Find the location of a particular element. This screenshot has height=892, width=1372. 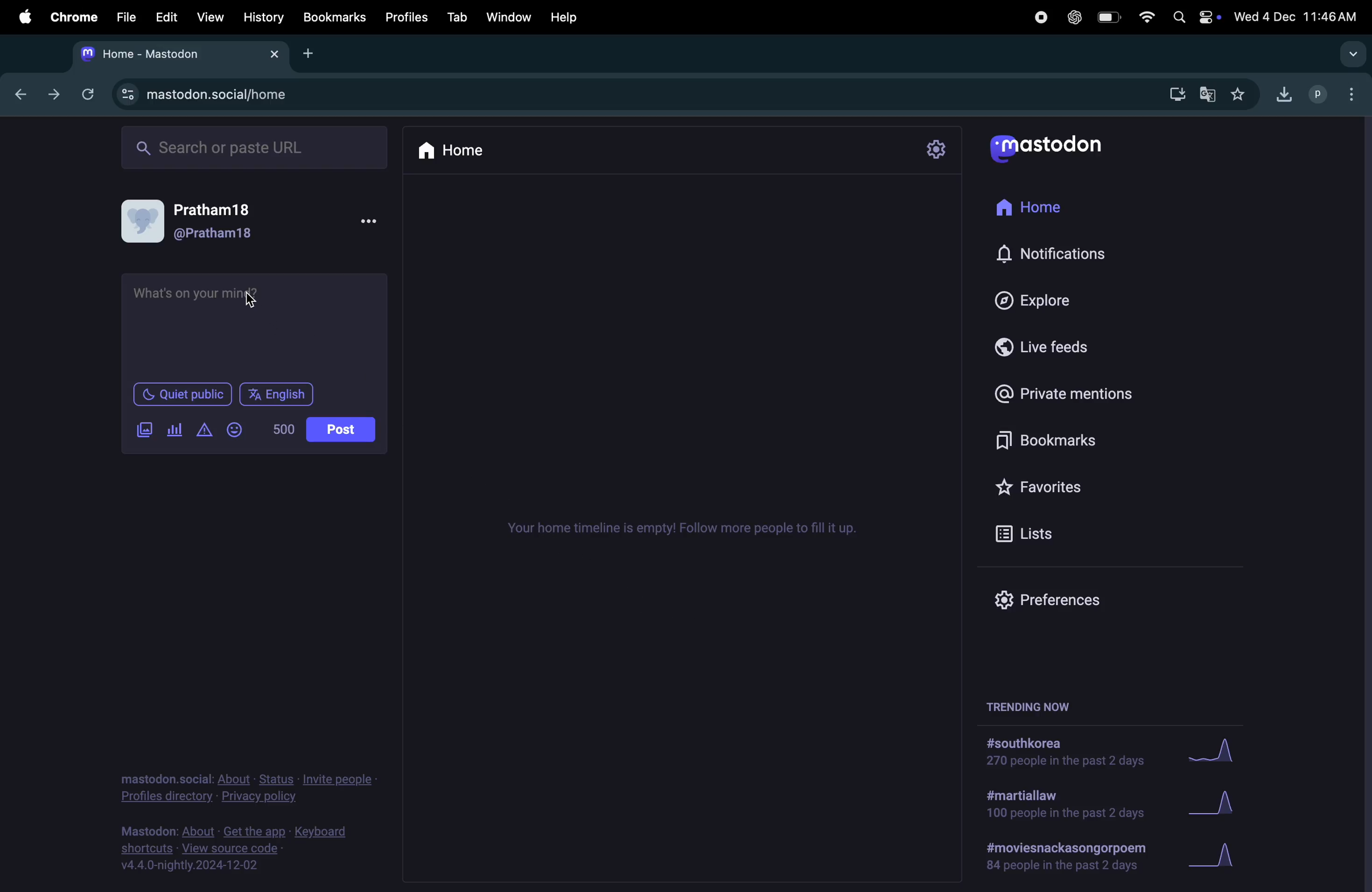

mastodon is located at coordinates (177, 55).